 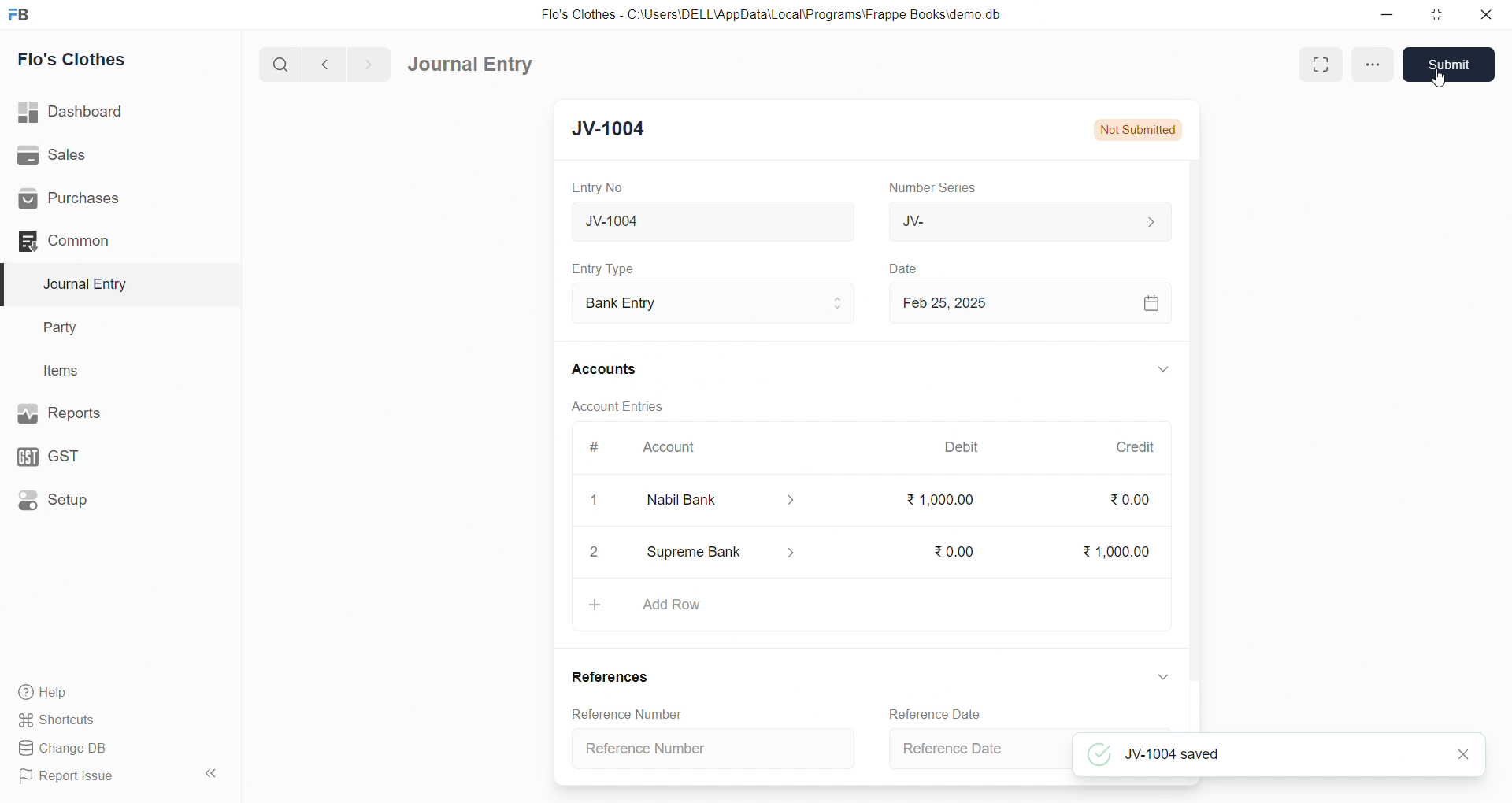 I want to click on Not Submitted, so click(x=1138, y=129).